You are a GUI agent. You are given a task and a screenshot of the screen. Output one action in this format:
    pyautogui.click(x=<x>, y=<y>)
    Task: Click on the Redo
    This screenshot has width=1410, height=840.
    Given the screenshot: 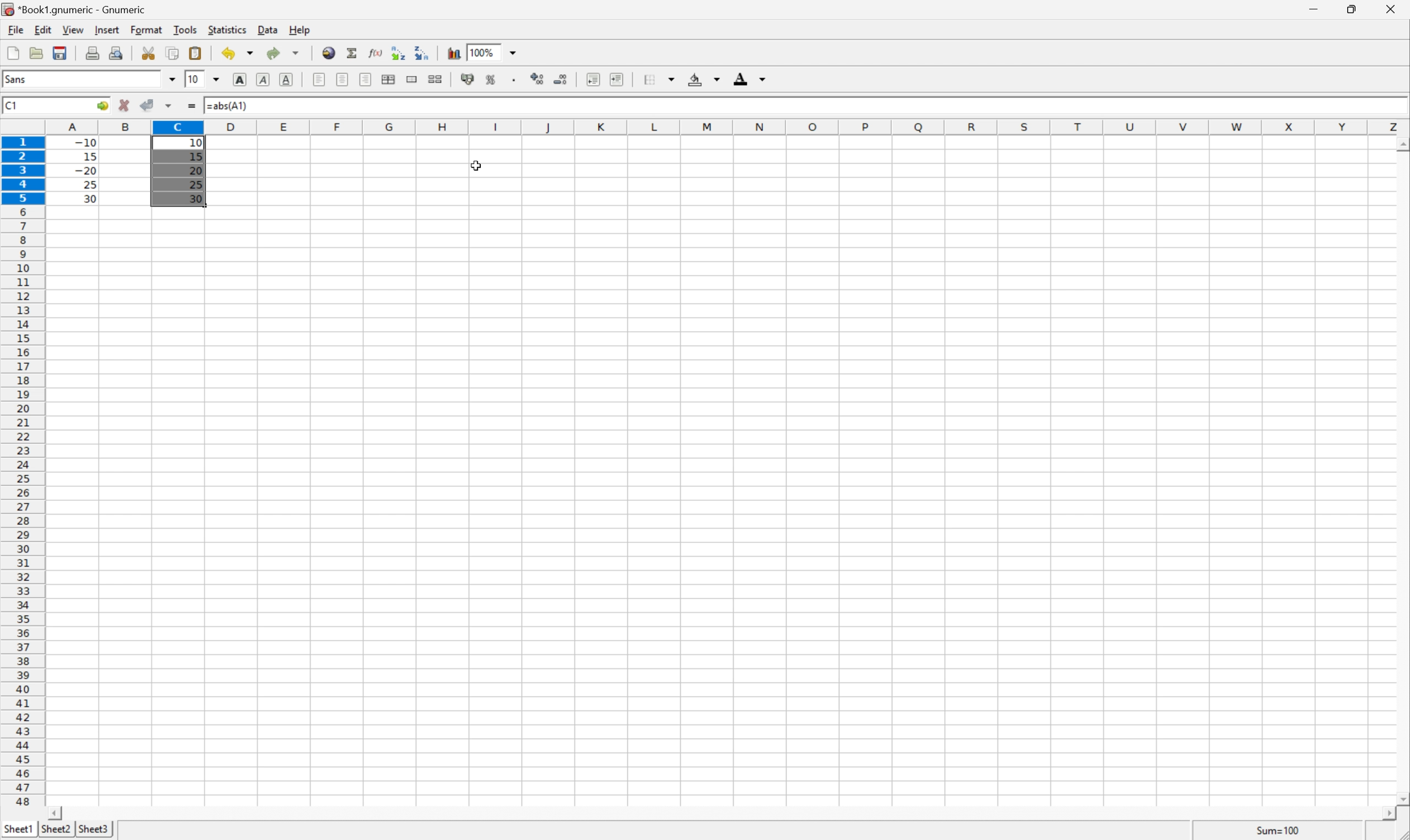 What is the action you would take?
    pyautogui.click(x=285, y=54)
    